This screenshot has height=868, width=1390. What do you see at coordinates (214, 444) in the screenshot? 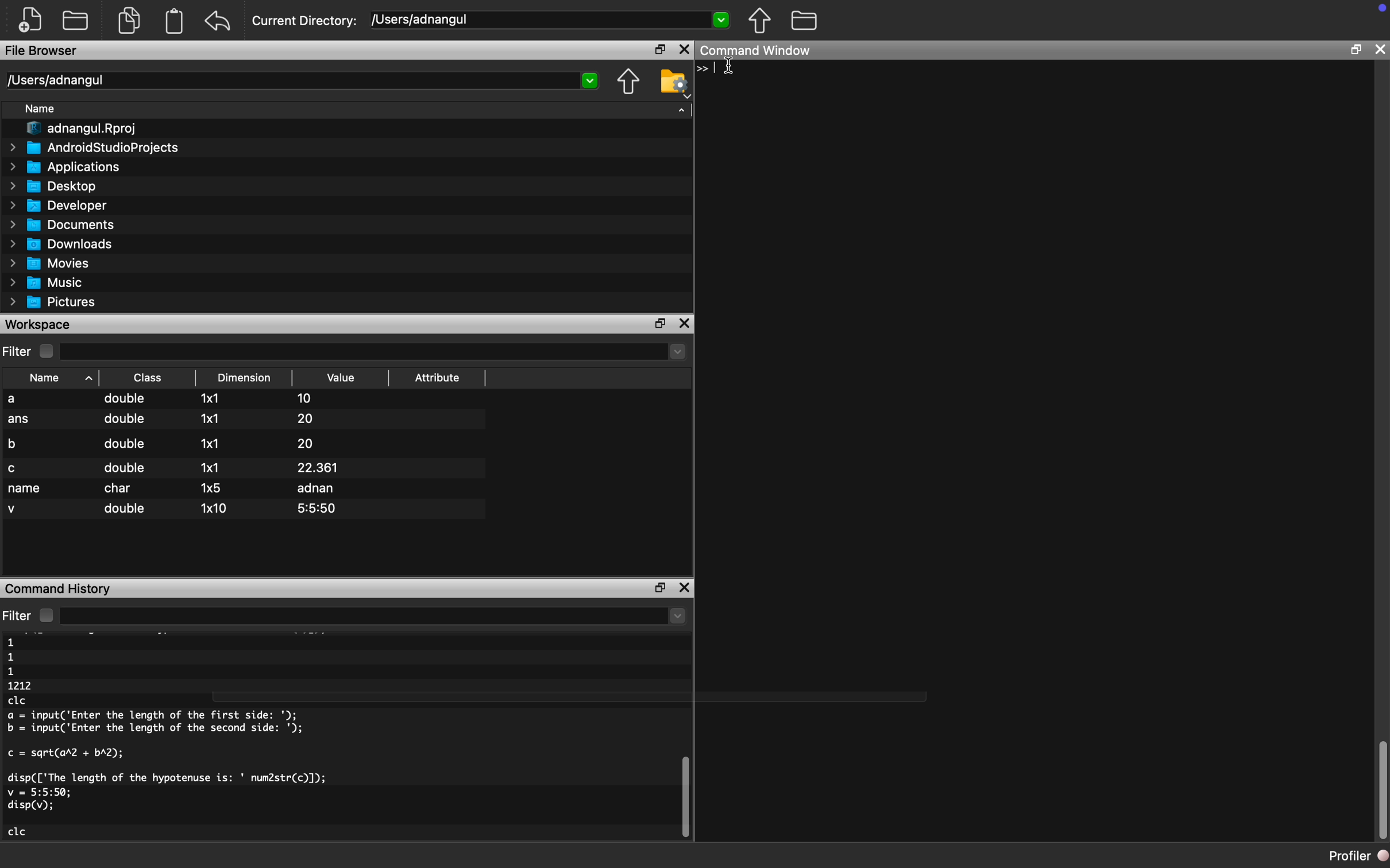
I see `1x1` at bounding box center [214, 444].